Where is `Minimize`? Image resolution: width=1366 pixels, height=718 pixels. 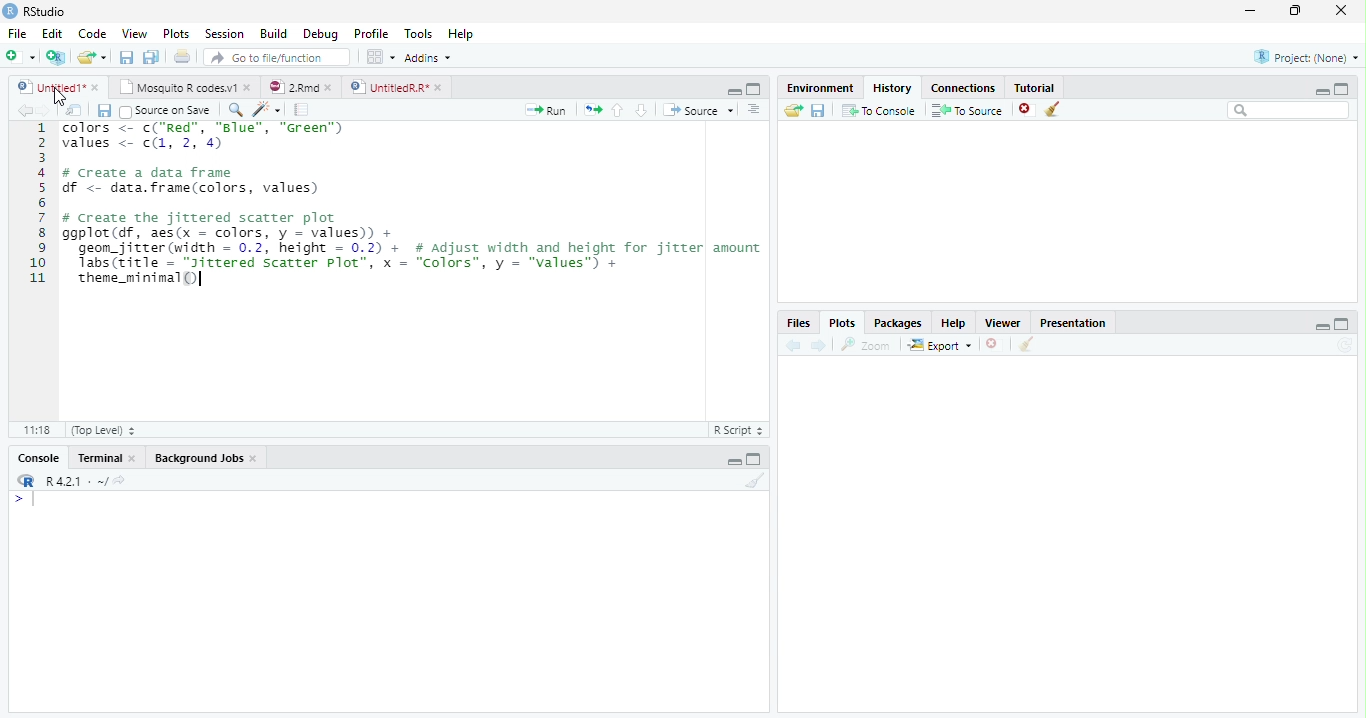
Minimize is located at coordinates (733, 462).